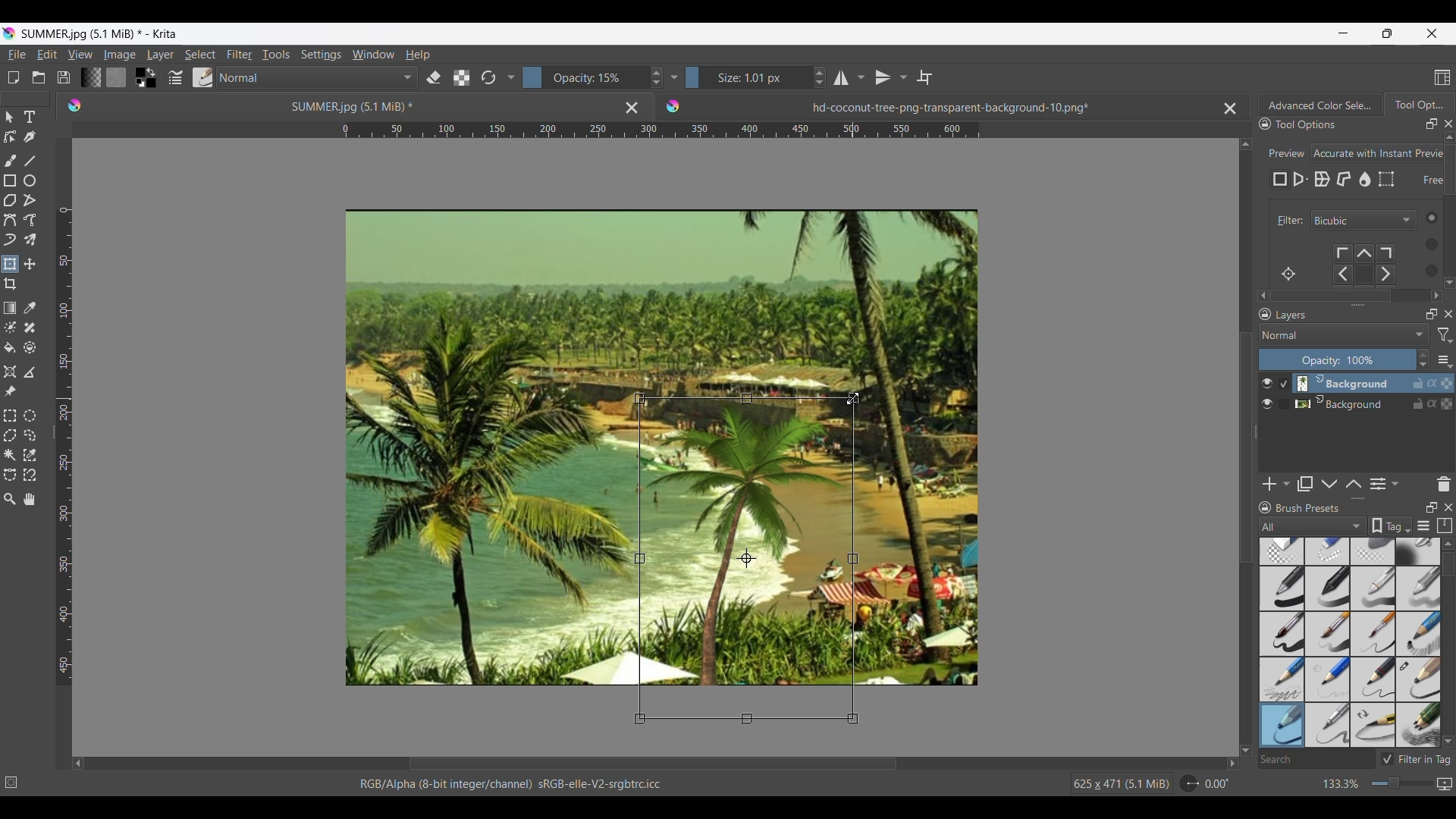  I want to click on Vertical slide bar of Tool Options panel, so click(1452, 207).